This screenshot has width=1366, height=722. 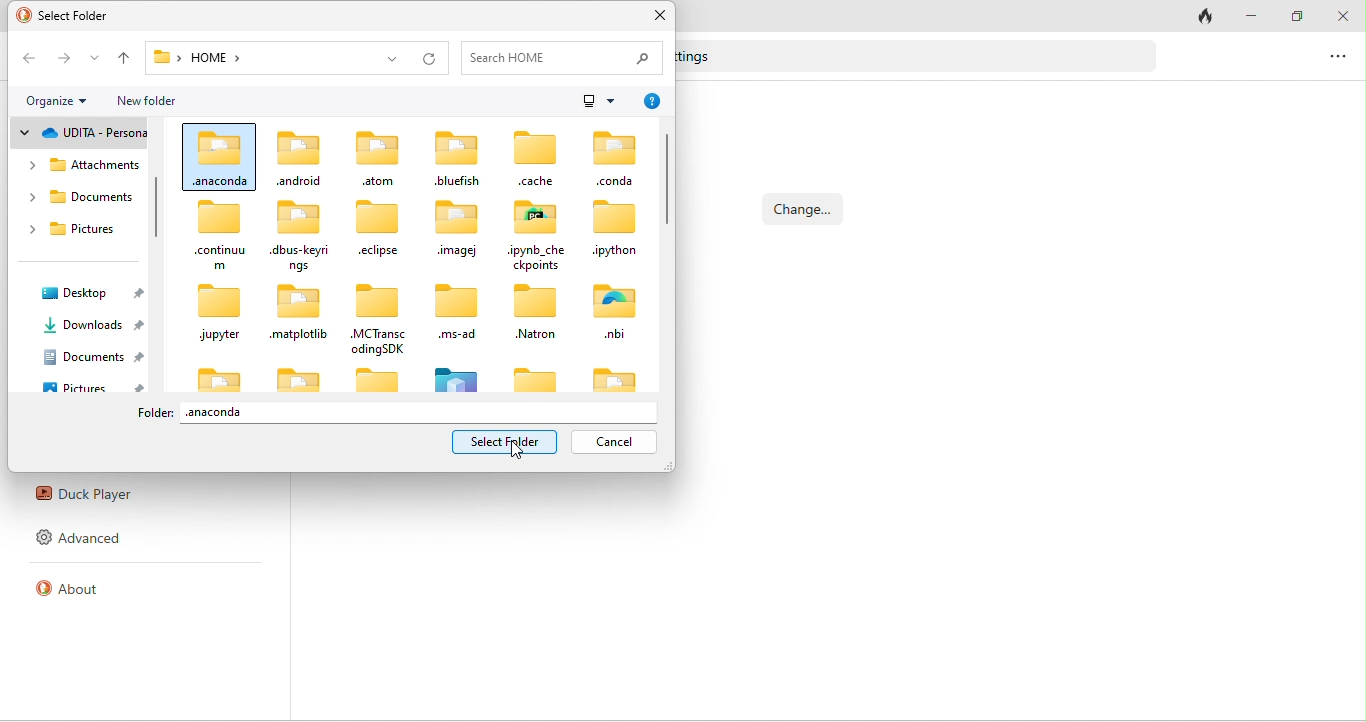 What do you see at coordinates (219, 159) in the screenshot?
I see `.anaconda` at bounding box center [219, 159].